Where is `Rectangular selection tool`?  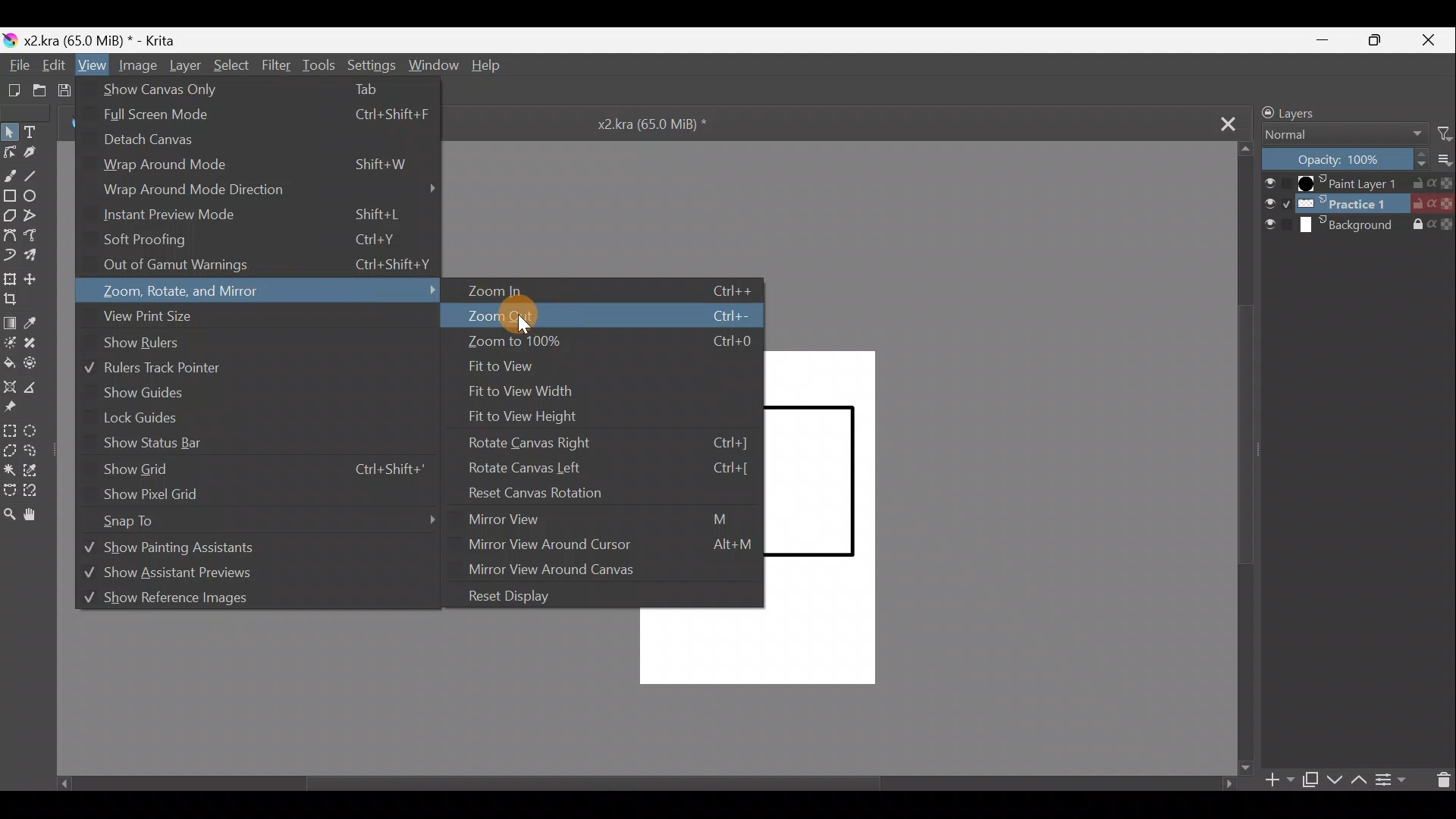 Rectangular selection tool is located at coordinates (9, 429).